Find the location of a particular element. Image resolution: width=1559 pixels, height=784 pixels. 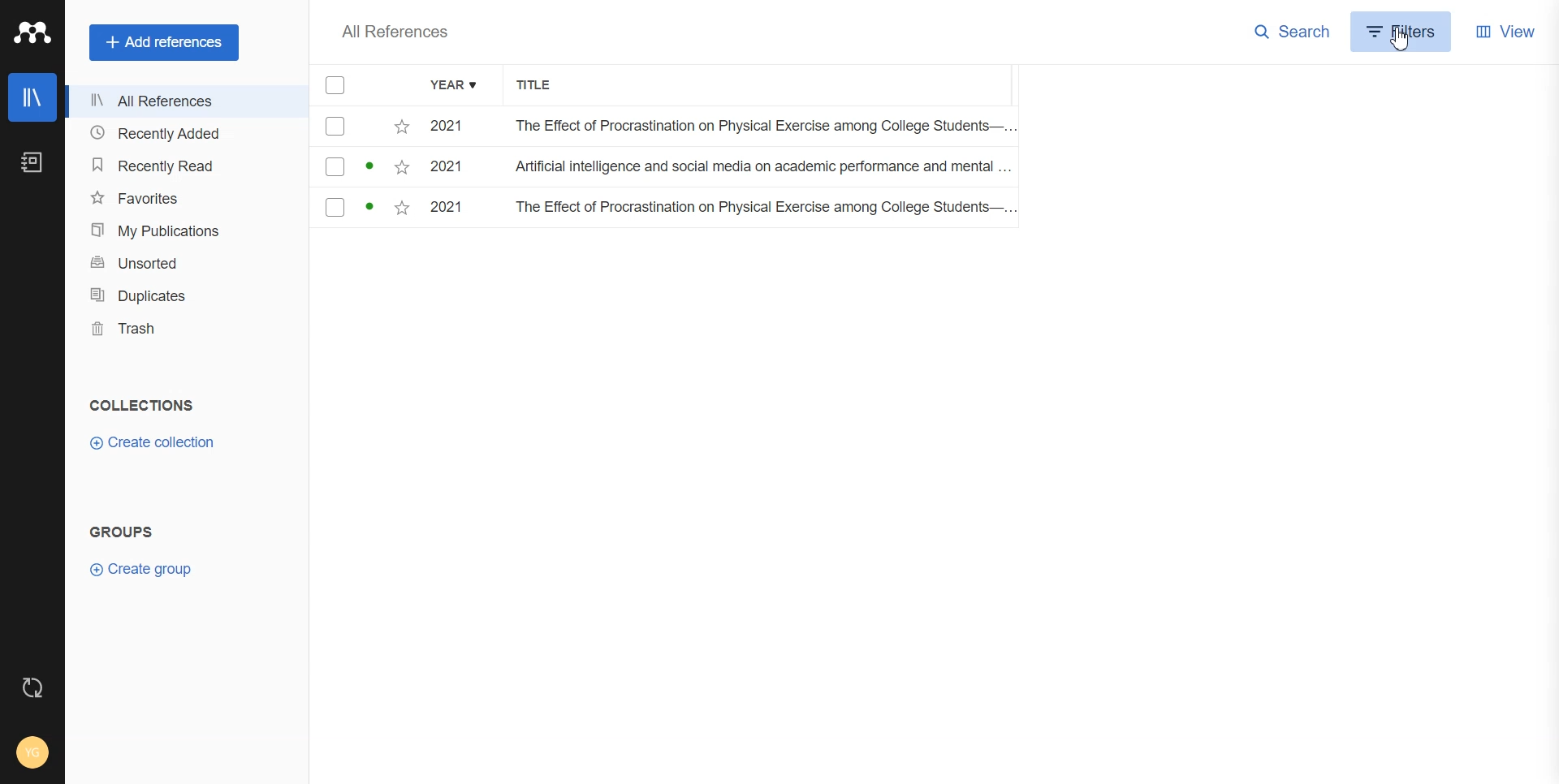

checkbox is located at coordinates (363, 168).